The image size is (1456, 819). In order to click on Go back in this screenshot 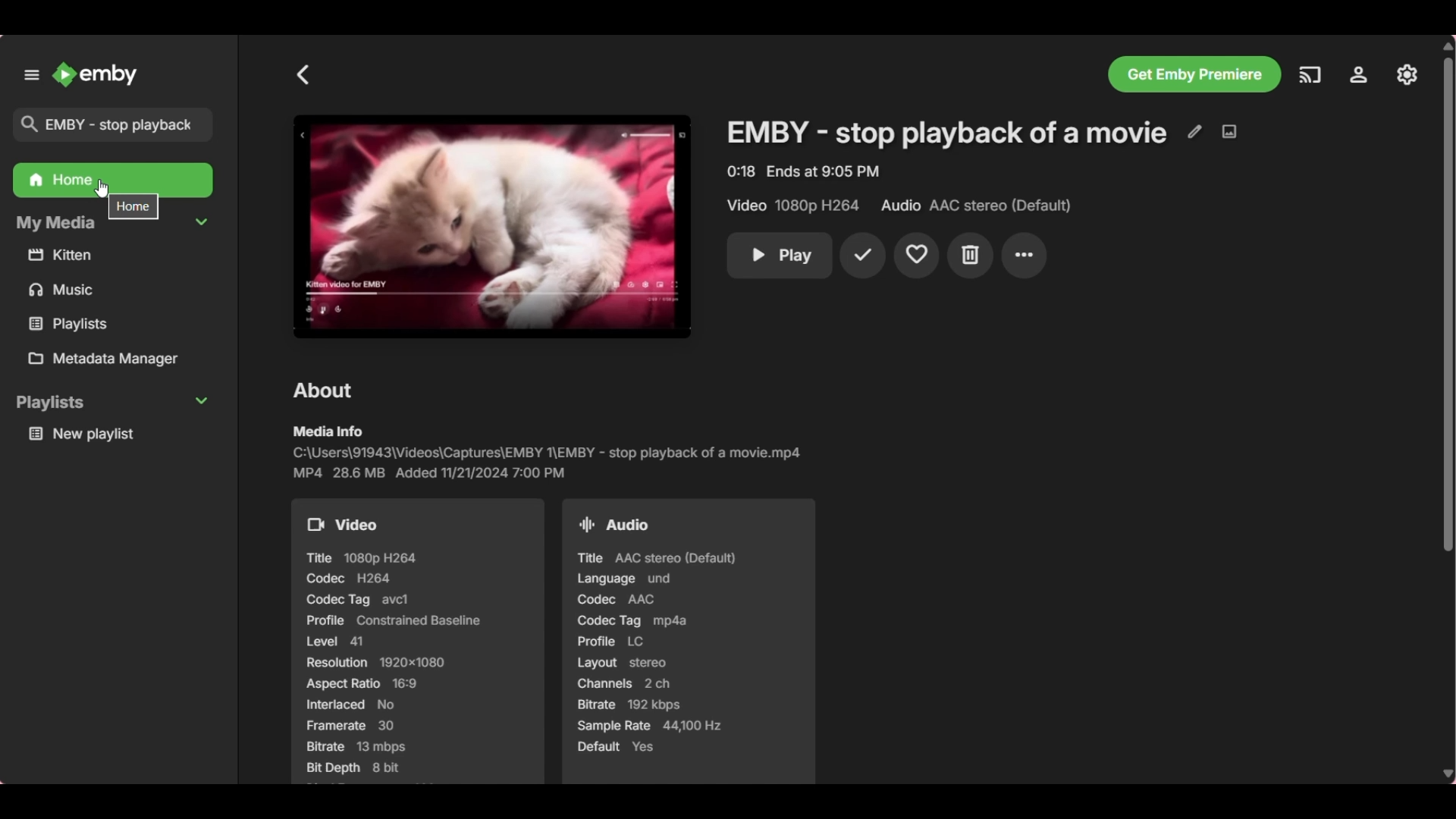, I will do `click(303, 75)`.